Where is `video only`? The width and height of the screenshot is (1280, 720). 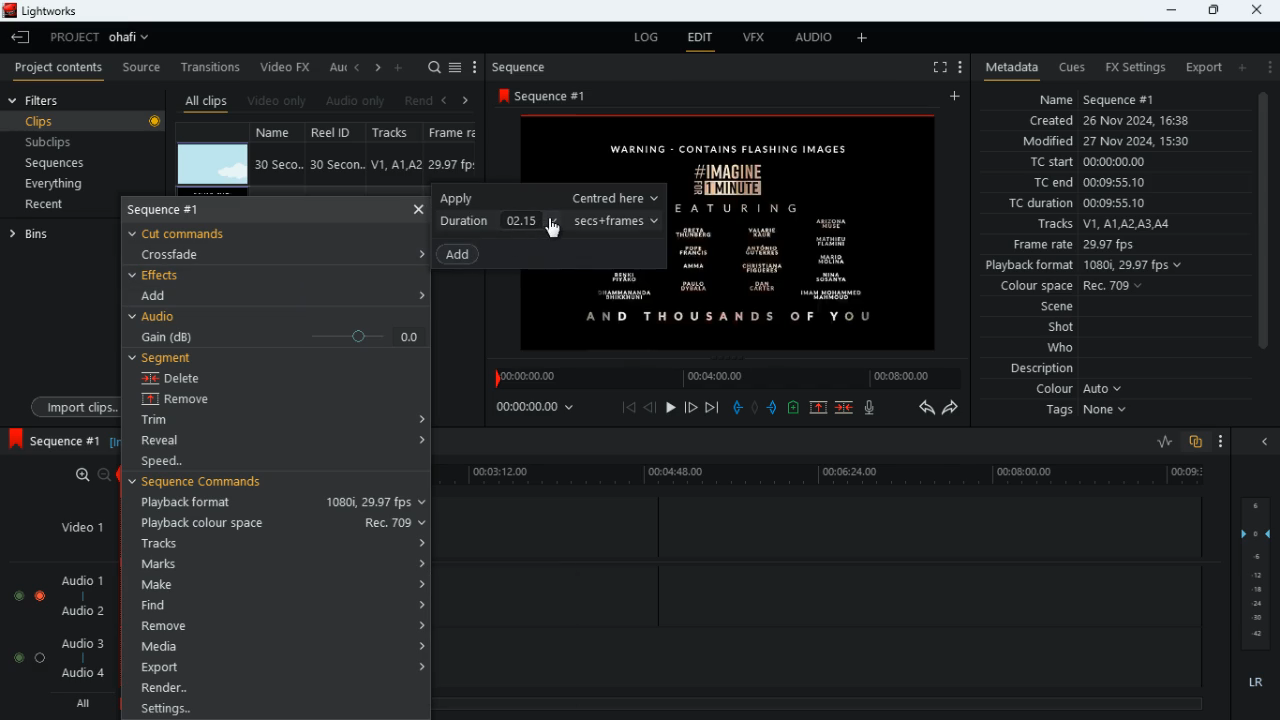
video only is located at coordinates (278, 101).